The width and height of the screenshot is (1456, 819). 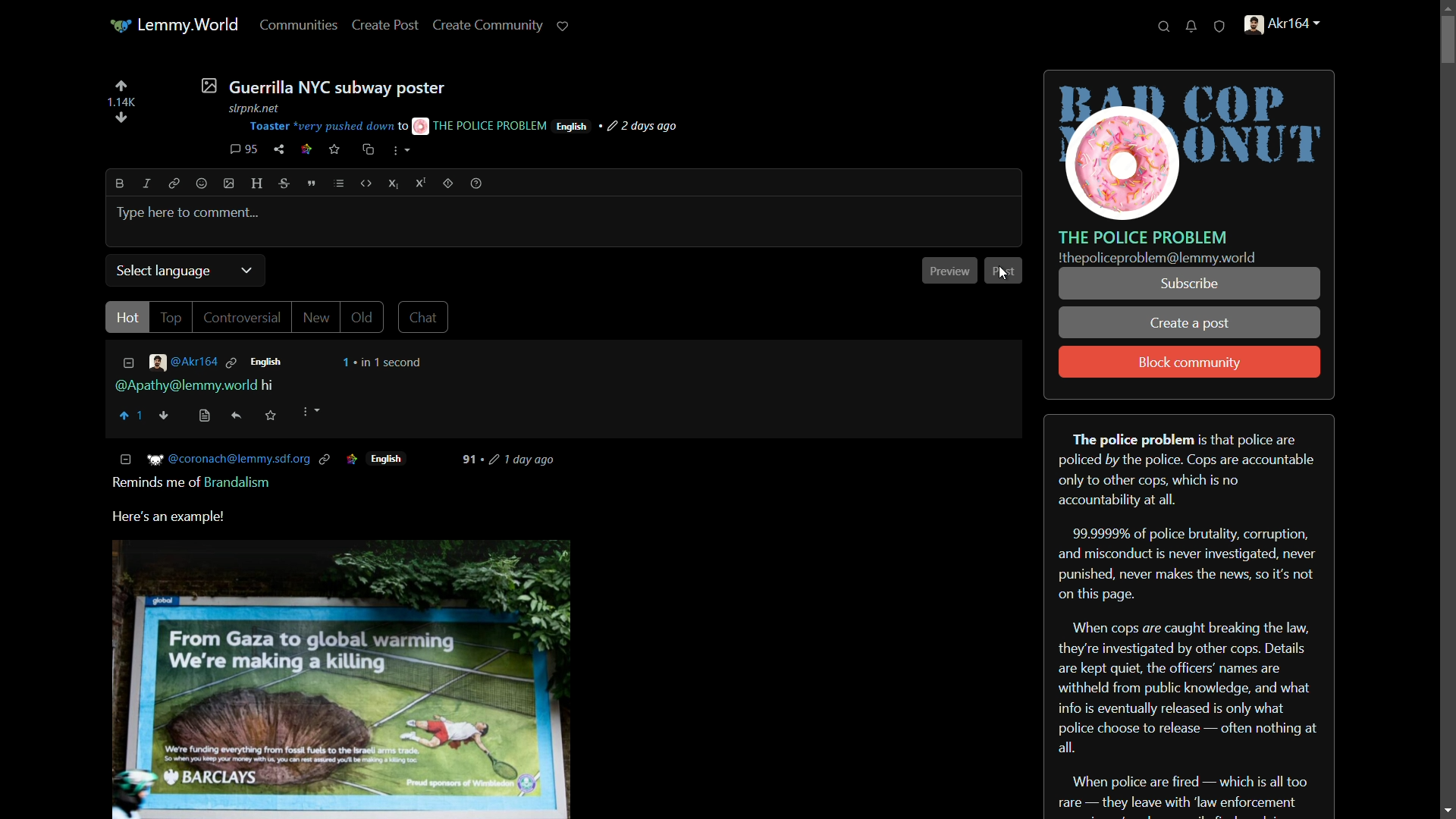 I want to click on create a post, so click(x=1191, y=325).